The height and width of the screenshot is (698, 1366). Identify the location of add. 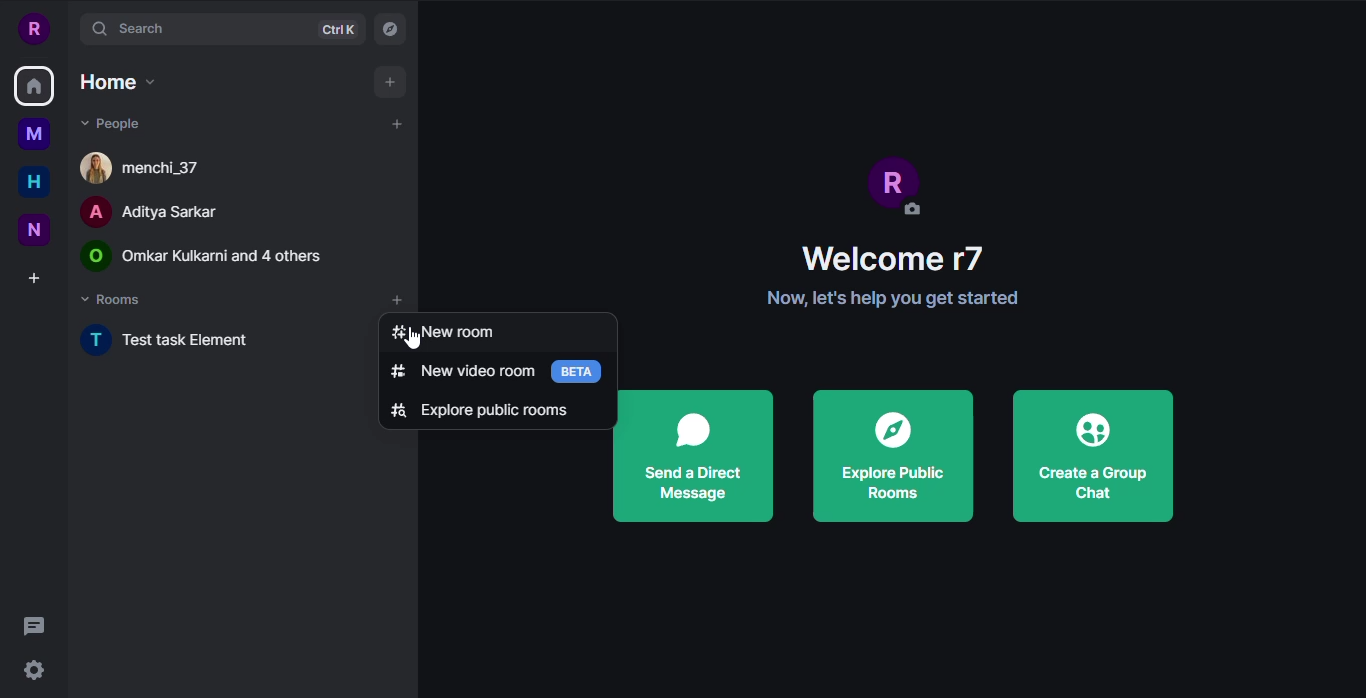
(386, 82).